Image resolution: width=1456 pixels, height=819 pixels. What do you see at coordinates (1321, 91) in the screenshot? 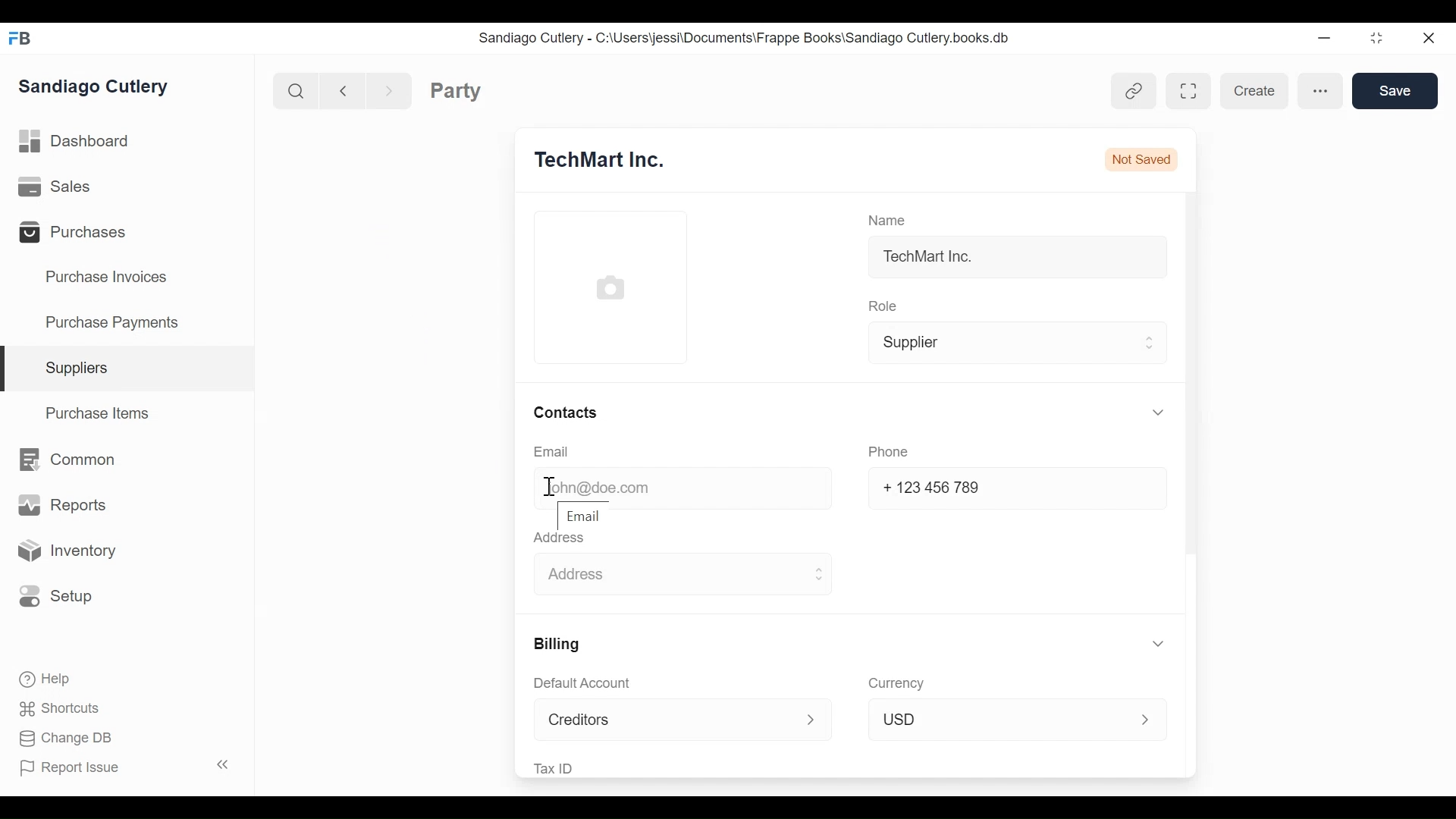
I see `more` at bounding box center [1321, 91].